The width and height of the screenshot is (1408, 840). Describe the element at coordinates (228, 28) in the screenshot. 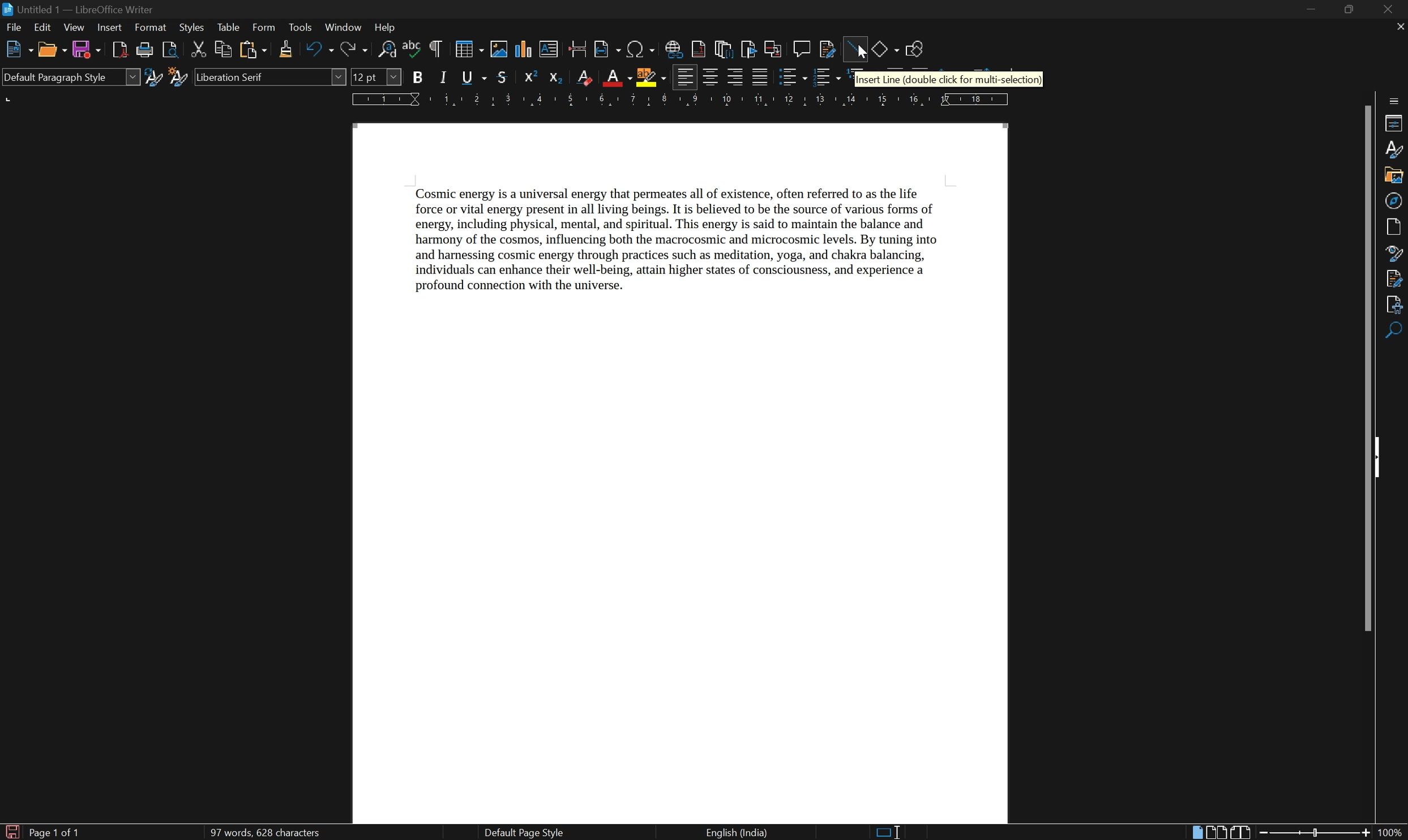

I see `table` at that location.